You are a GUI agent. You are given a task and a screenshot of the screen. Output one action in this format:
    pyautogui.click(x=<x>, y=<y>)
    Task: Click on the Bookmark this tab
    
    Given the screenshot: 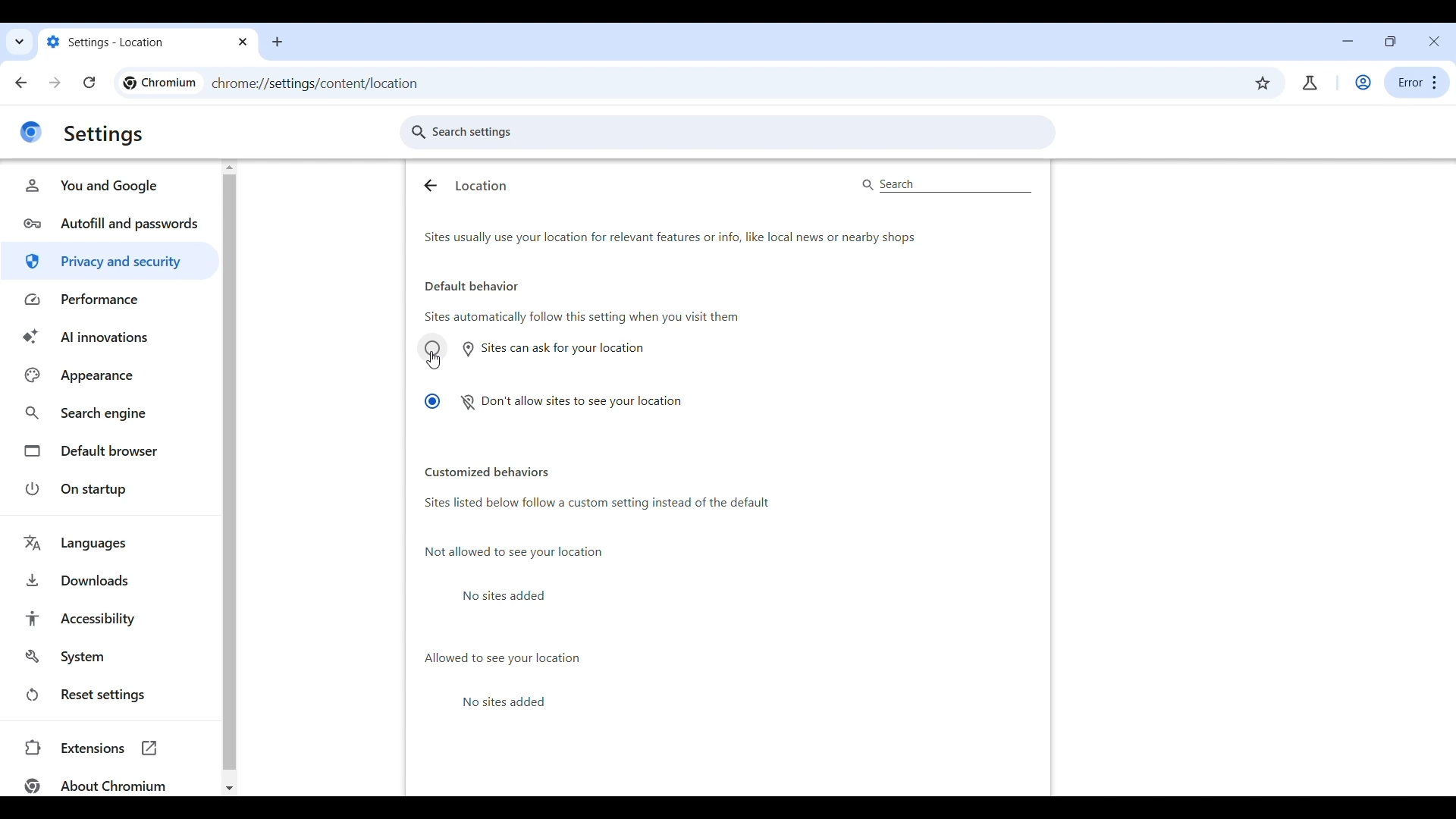 What is the action you would take?
    pyautogui.click(x=1263, y=83)
    